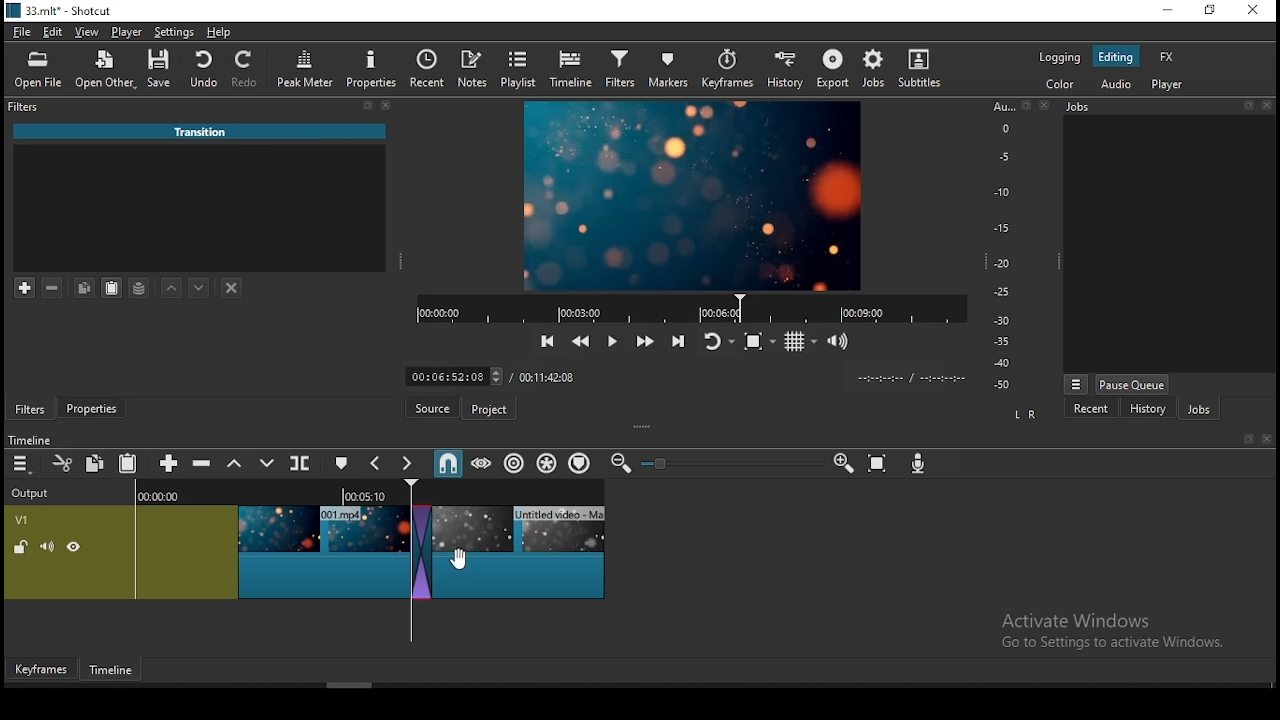  I want to click on Jobs, so click(1171, 108).